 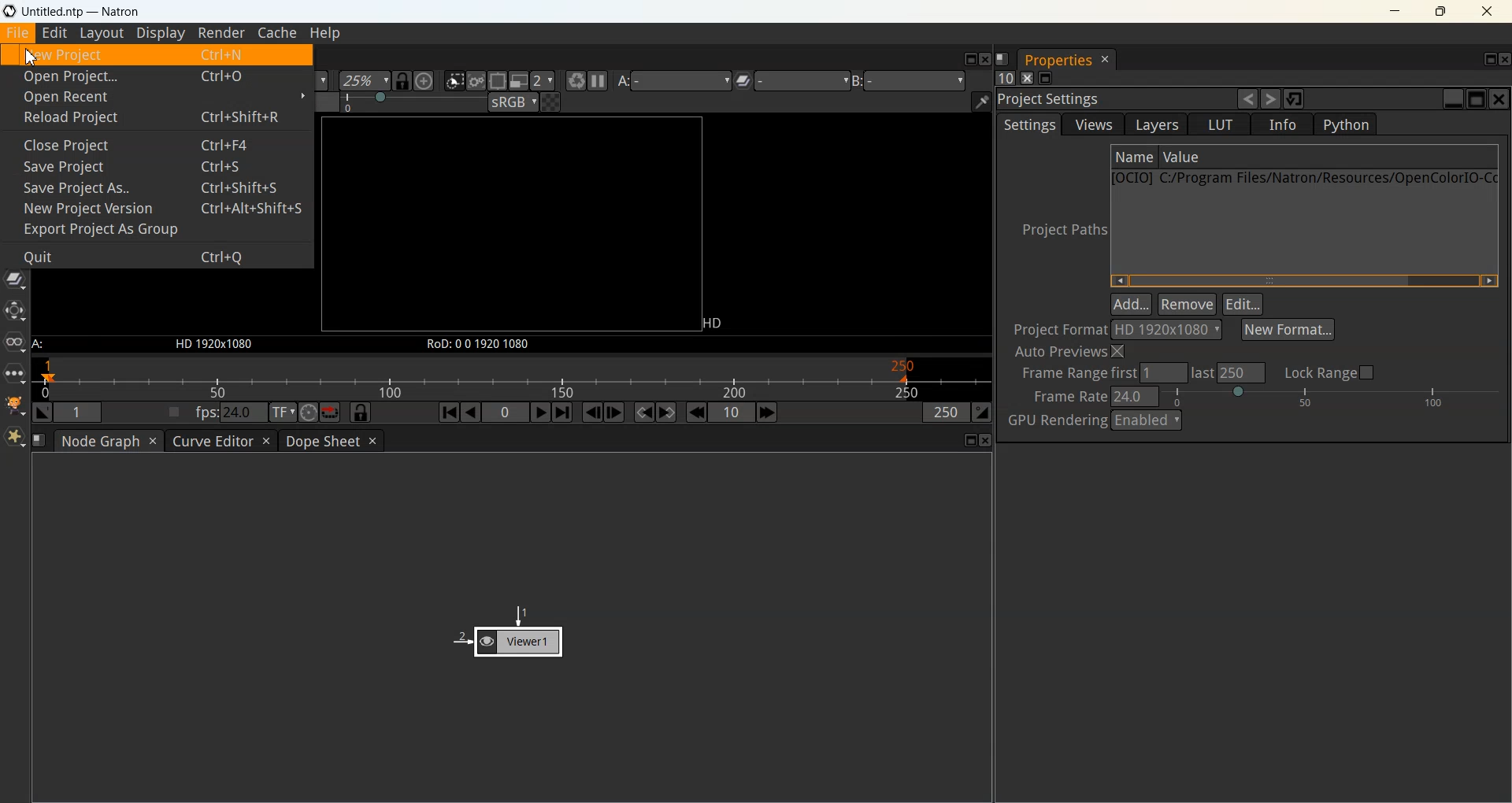 I want to click on Transform, so click(x=15, y=311).